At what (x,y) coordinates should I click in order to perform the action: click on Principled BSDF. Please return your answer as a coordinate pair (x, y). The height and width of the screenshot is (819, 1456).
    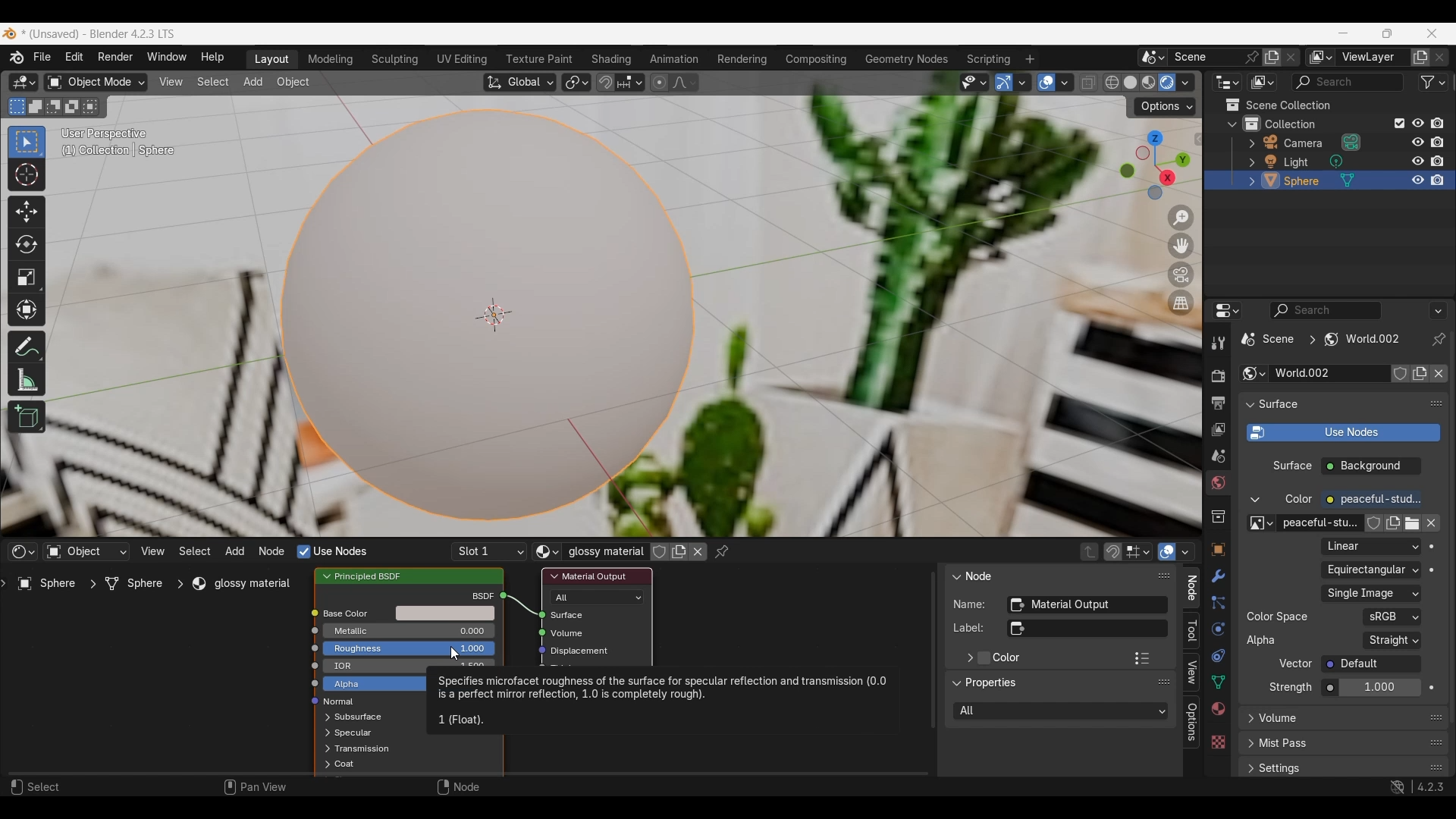
    Looking at the image, I should click on (375, 576).